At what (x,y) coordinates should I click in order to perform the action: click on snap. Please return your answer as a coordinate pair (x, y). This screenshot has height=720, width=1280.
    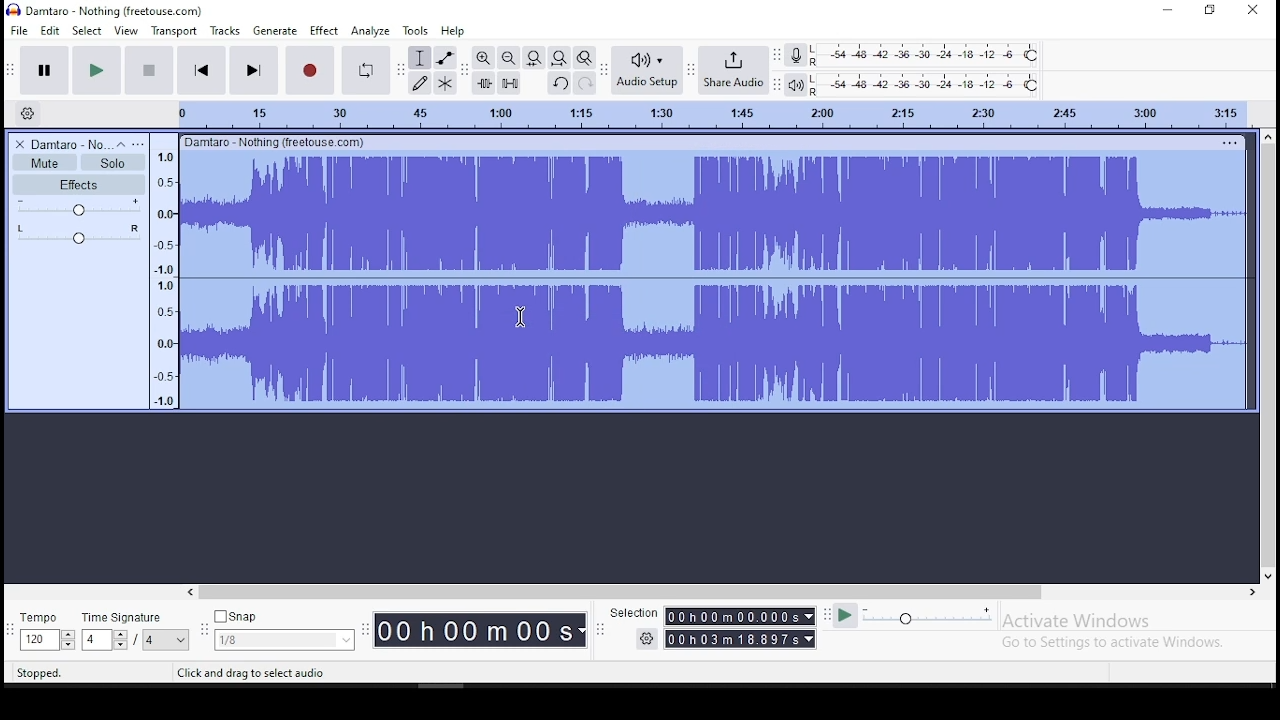
    Looking at the image, I should click on (284, 641).